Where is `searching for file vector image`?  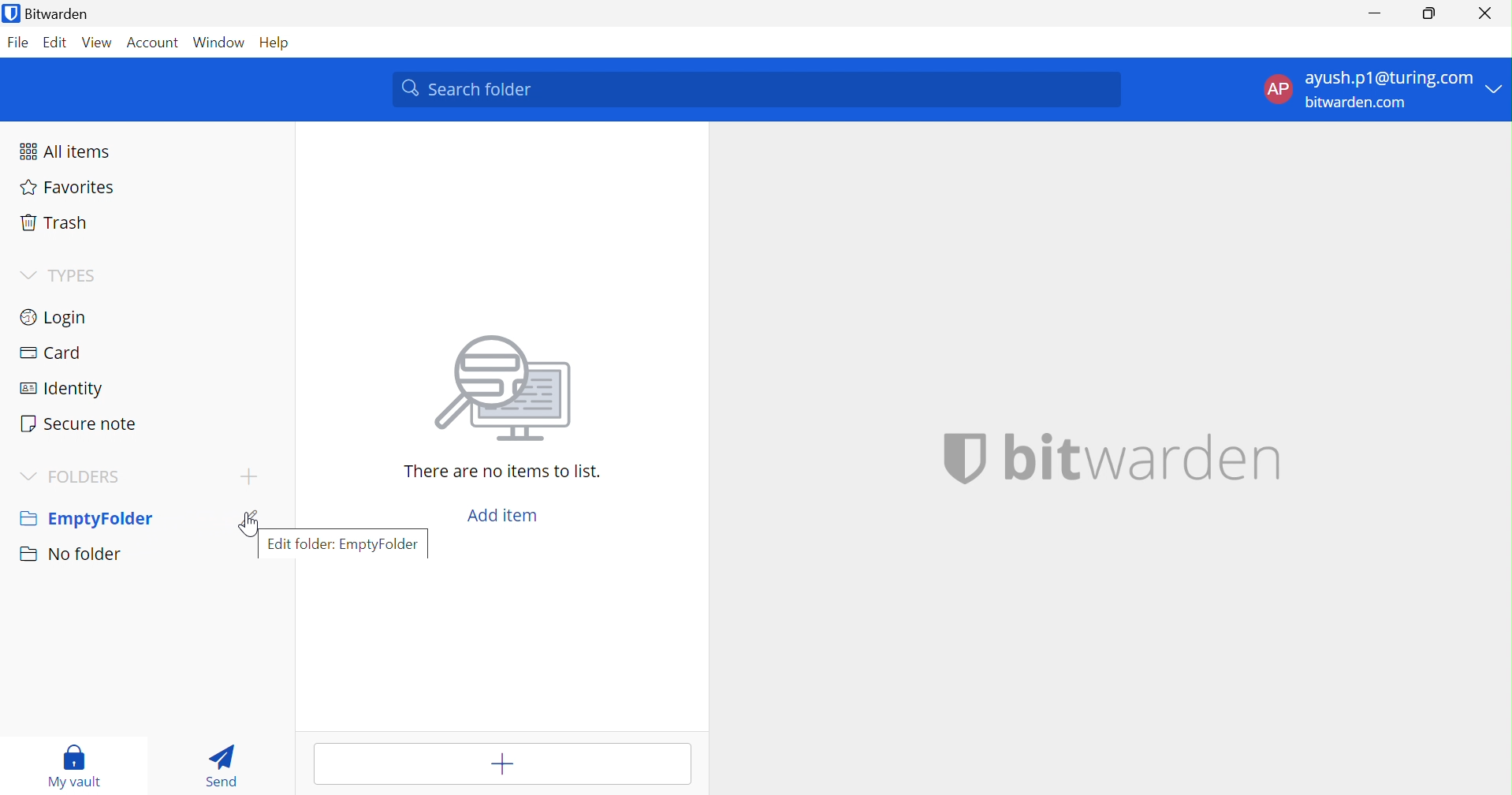 searching for file vector image is located at coordinates (496, 390).